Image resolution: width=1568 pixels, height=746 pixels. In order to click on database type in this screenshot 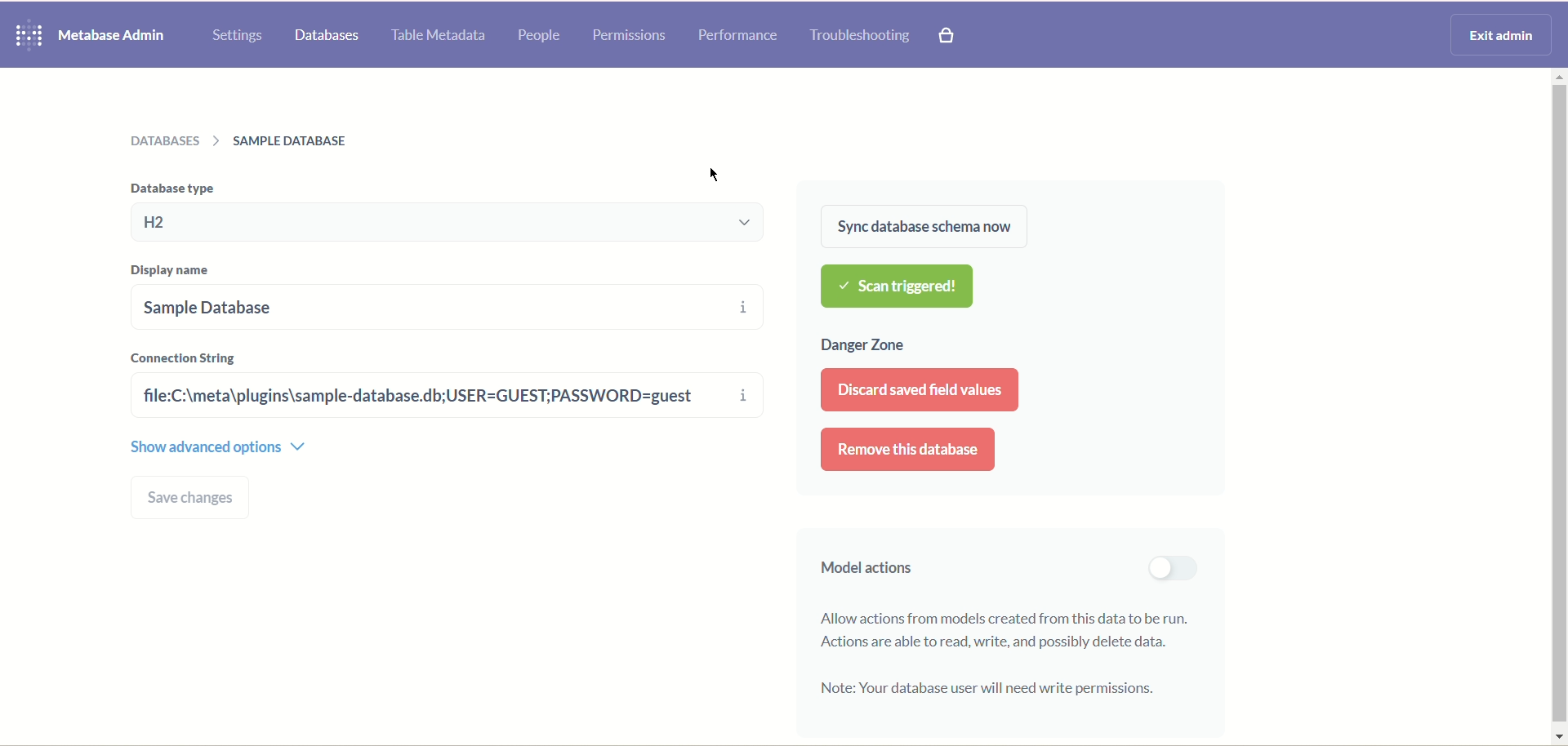, I will do `click(169, 187)`.